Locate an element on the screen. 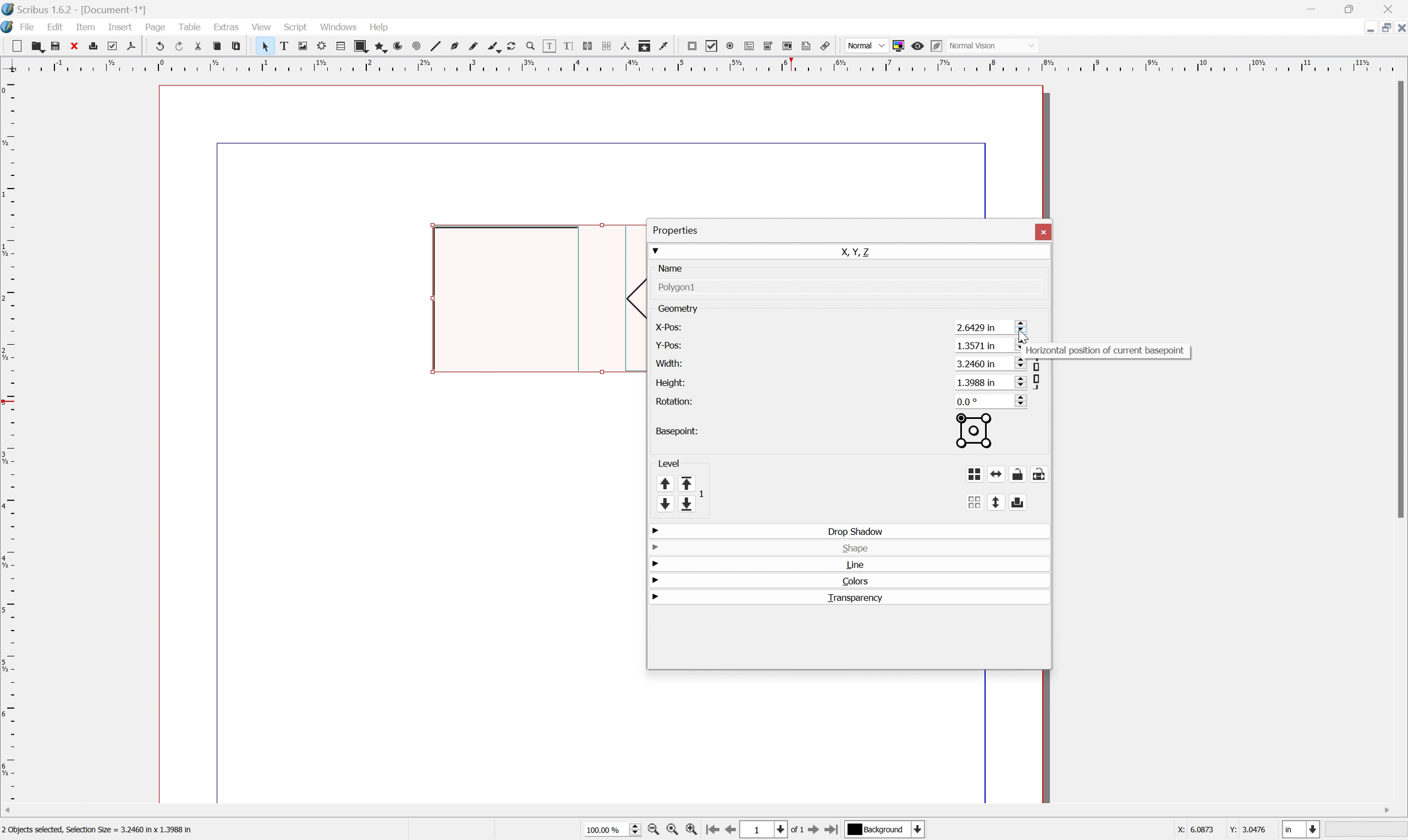  Zoom to 100% is located at coordinates (670, 832).